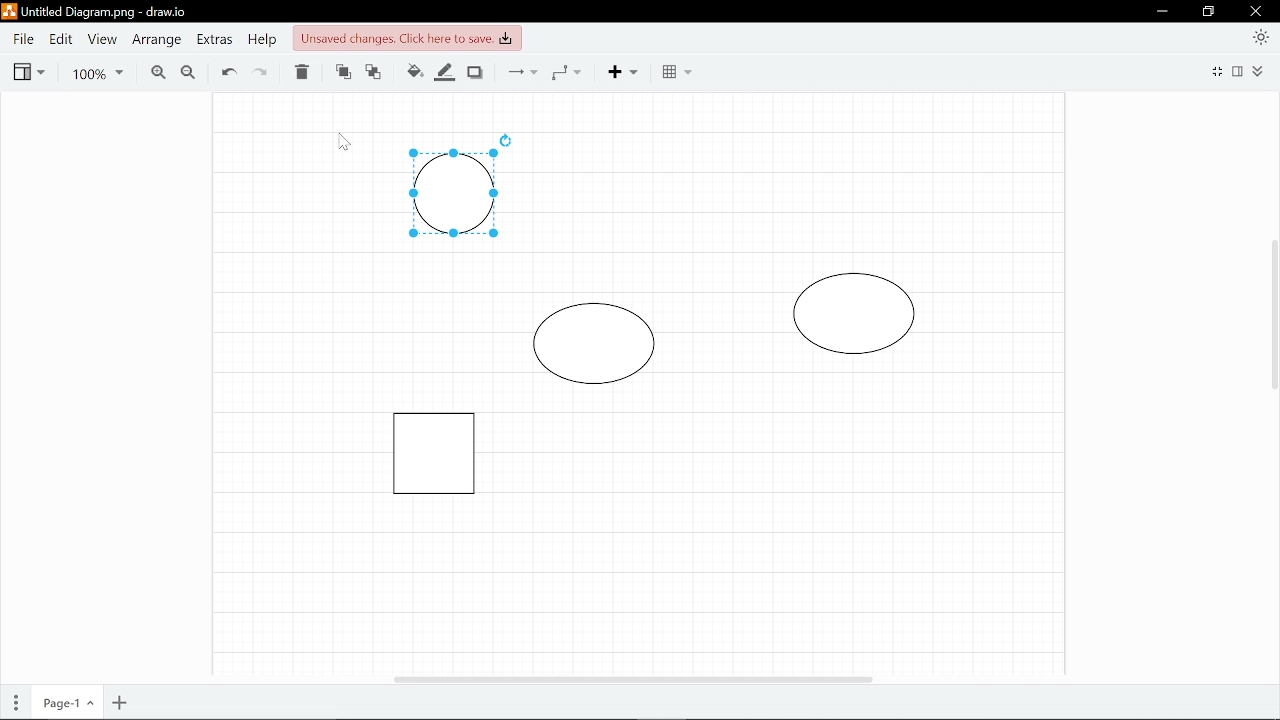 Image resolution: width=1280 pixels, height=720 pixels. I want to click on Table, so click(676, 72).